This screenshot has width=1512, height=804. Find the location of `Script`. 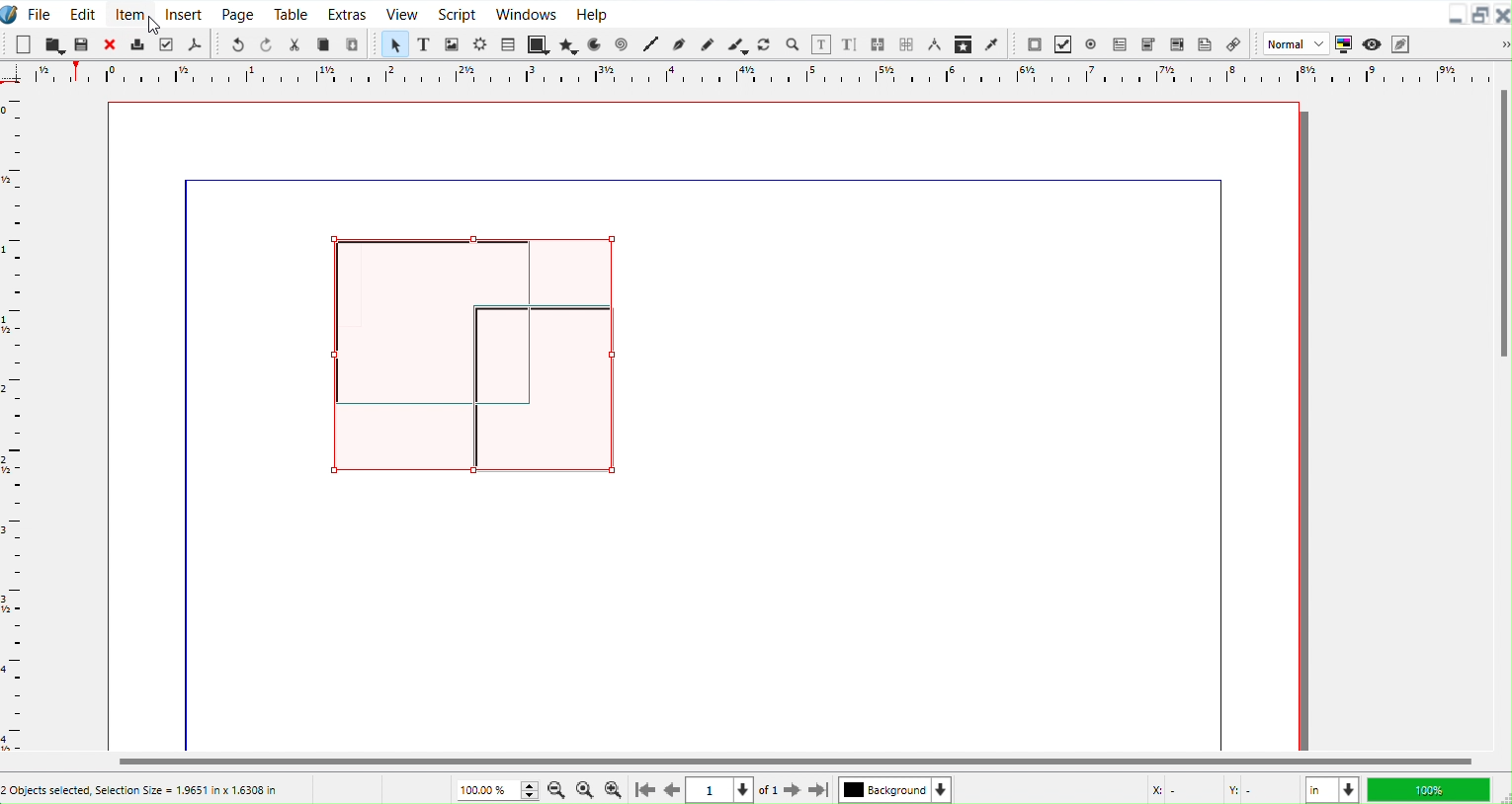

Script is located at coordinates (458, 13).